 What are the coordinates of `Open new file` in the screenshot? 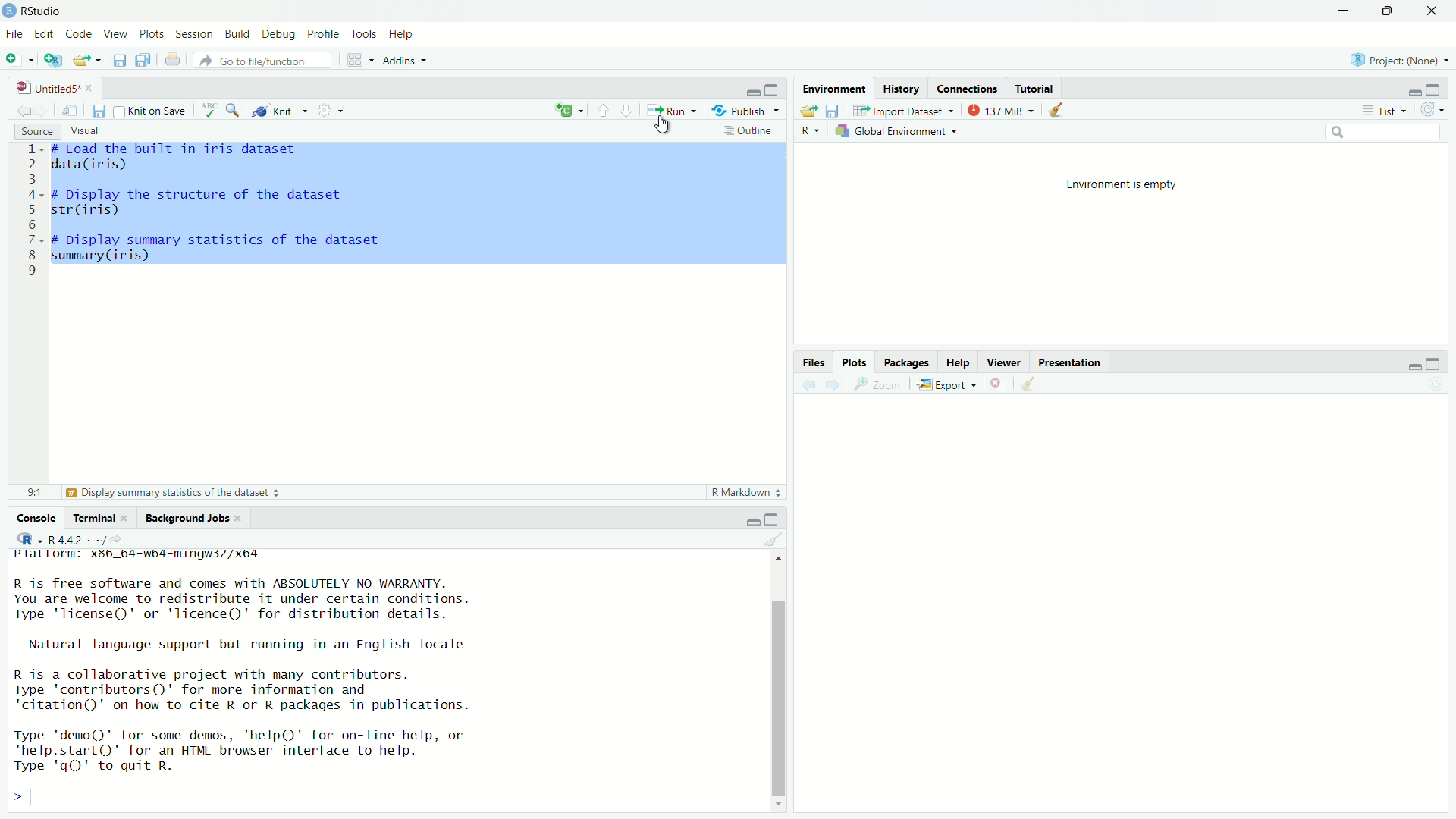 It's located at (19, 59).